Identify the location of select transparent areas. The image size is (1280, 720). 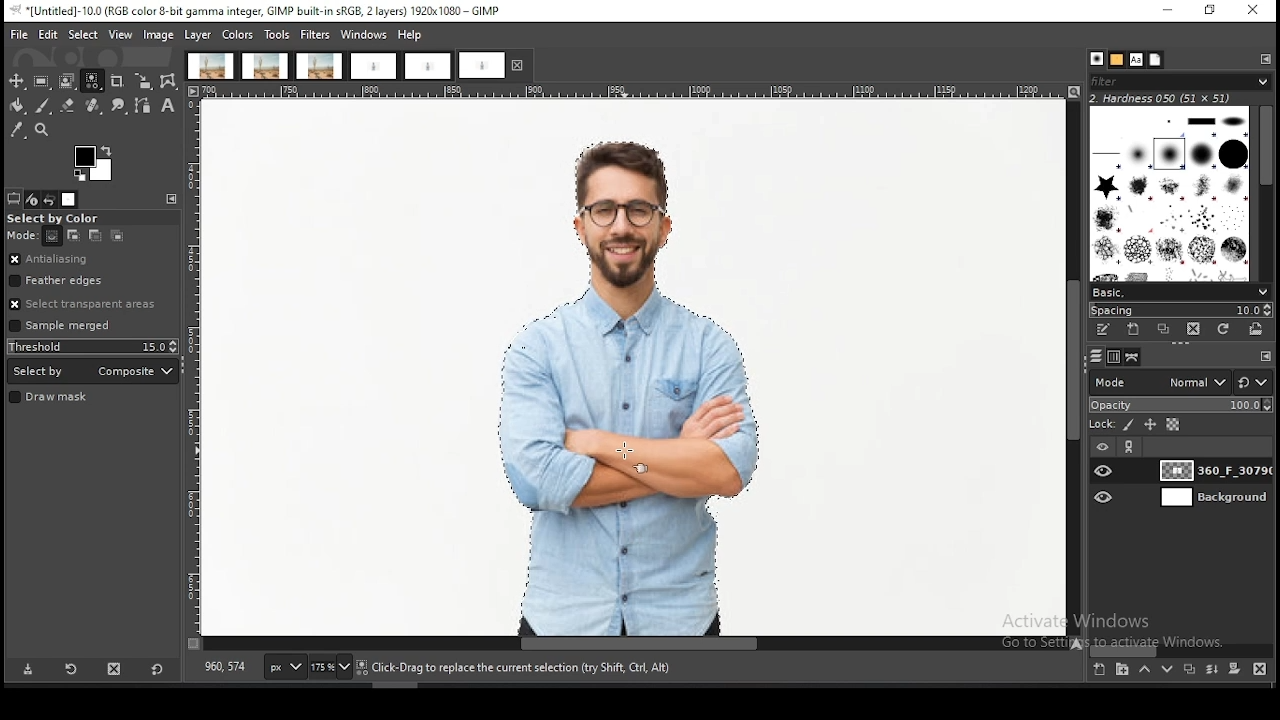
(87, 304).